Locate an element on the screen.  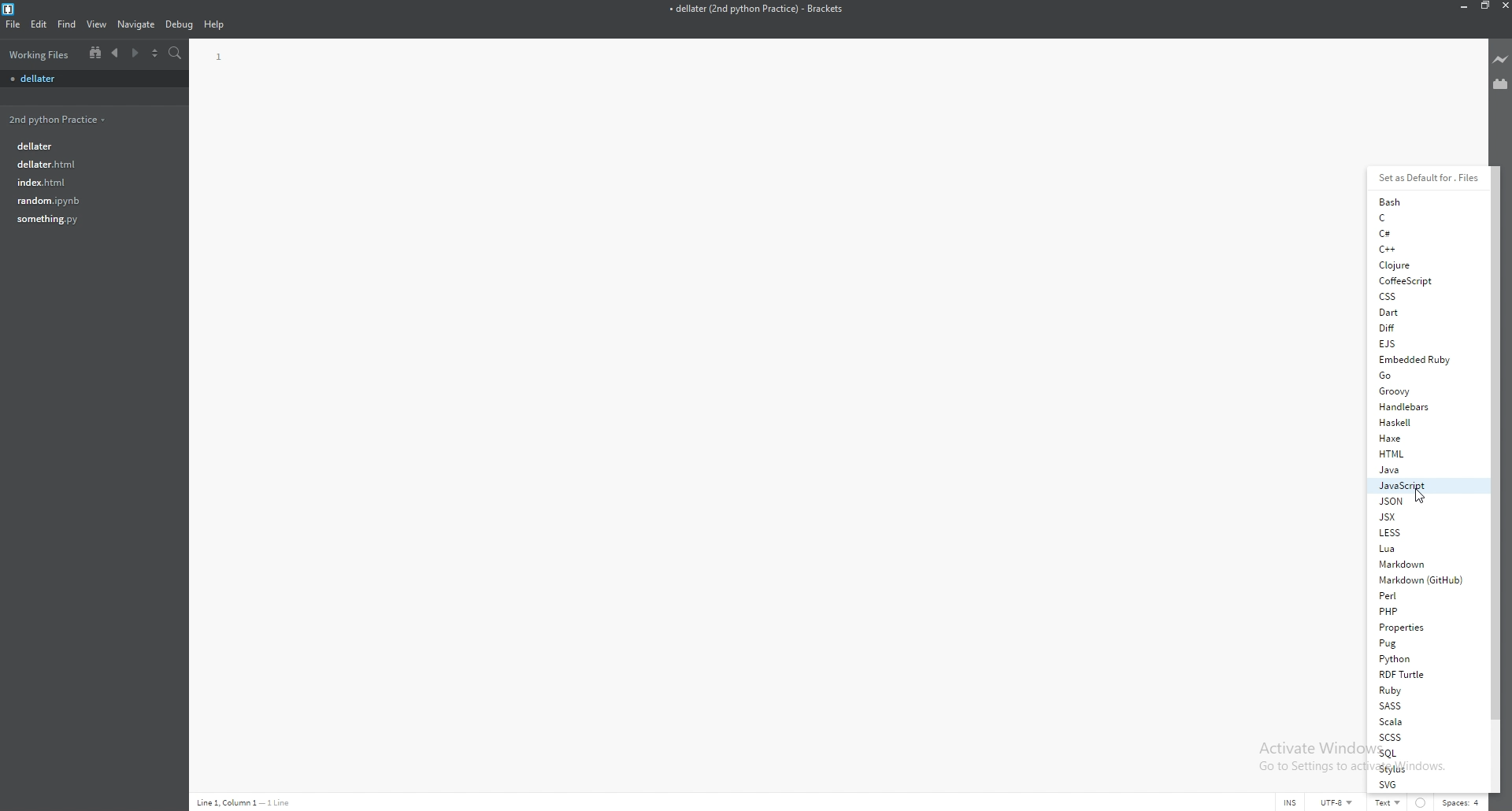
html is located at coordinates (1425, 453).